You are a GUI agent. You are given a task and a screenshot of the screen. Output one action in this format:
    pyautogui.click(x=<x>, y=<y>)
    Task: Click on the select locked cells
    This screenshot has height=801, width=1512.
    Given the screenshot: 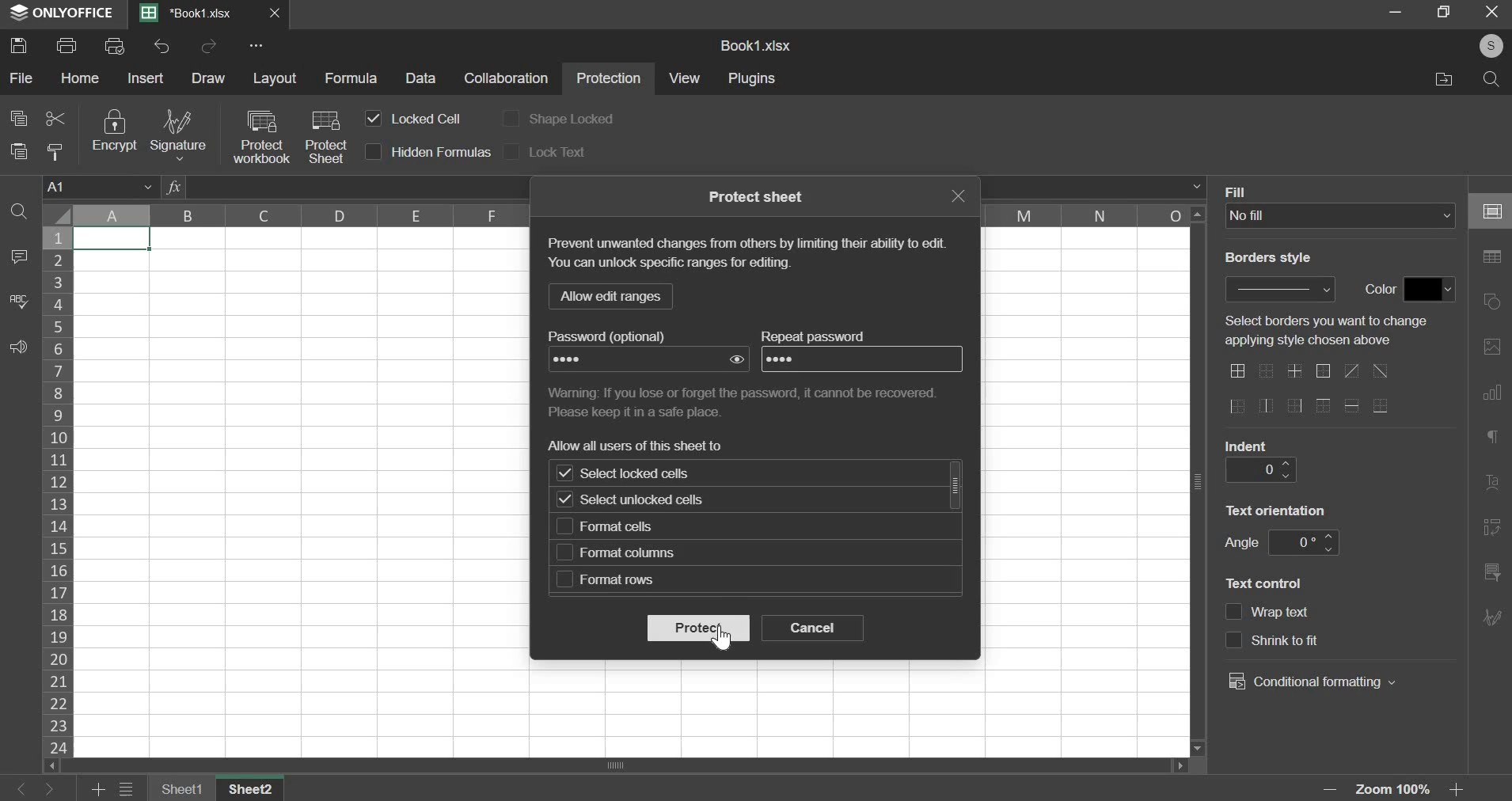 What is the action you would take?
    pyautogui.click(x=650, y=473)
    